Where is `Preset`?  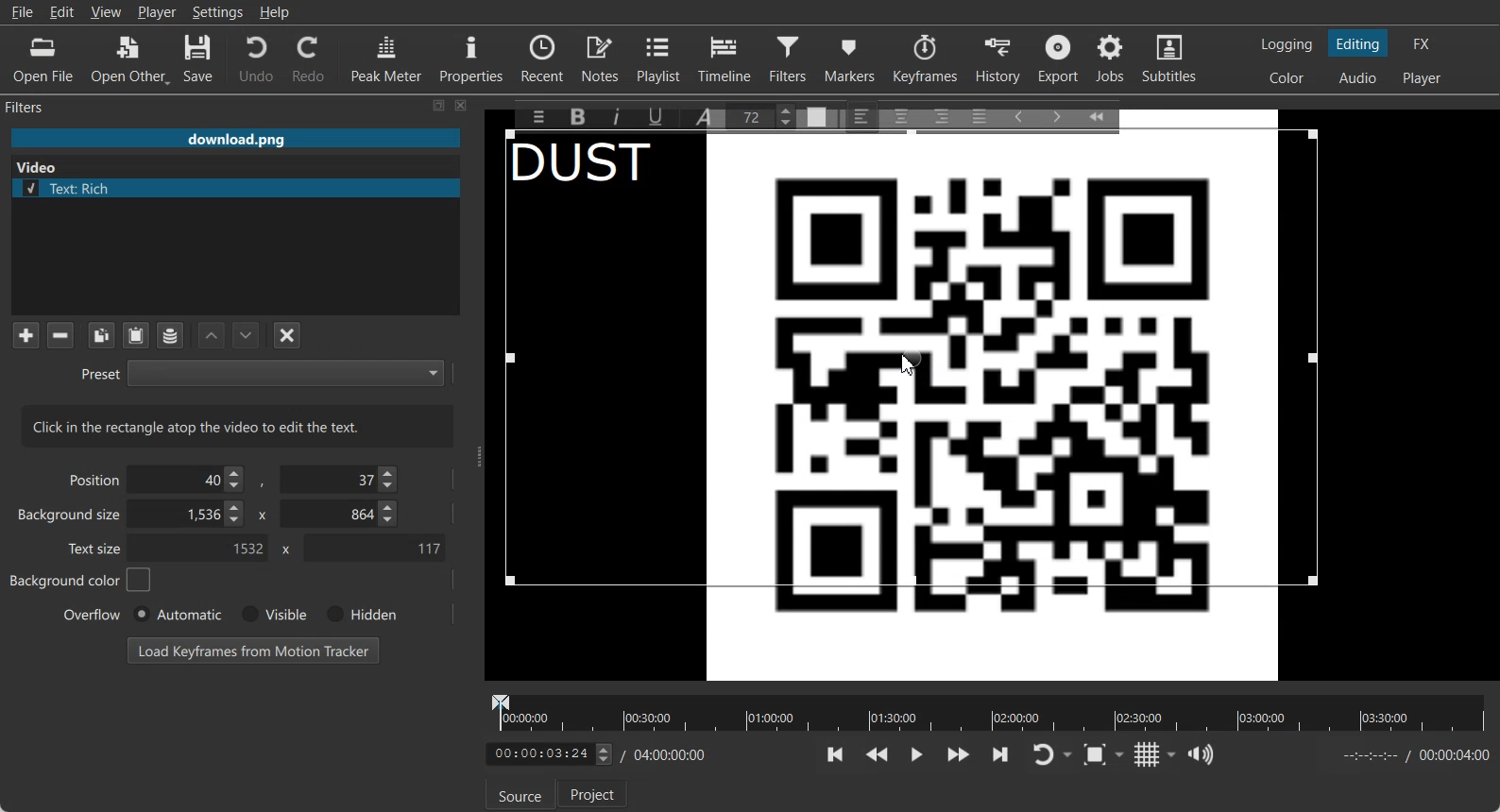 Preset is located at coordinates (262, 372).